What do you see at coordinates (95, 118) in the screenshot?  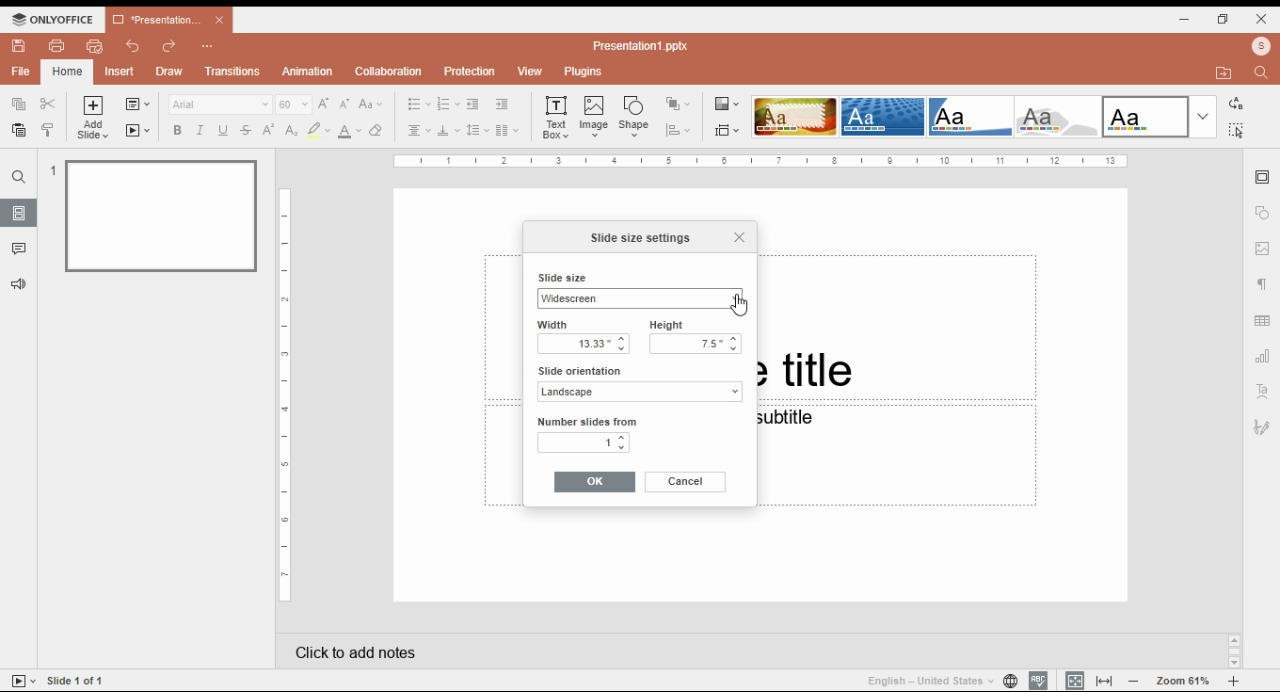 I see `add slide` at bounding box center [95, 118].